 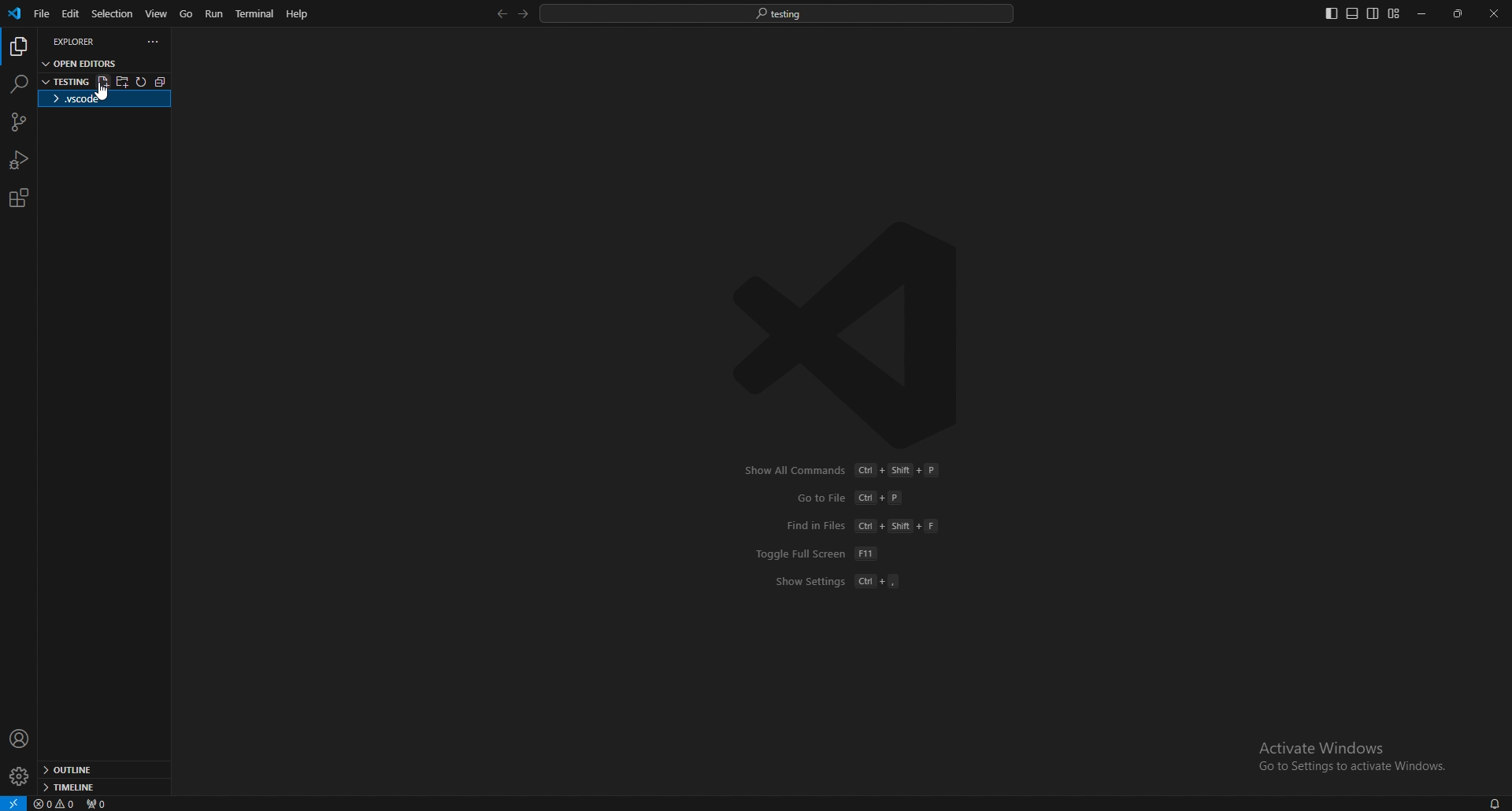 What do you see at coordinates (91, 98) in the screenshot?
I see `folder name` at bounding box center [91, 98].